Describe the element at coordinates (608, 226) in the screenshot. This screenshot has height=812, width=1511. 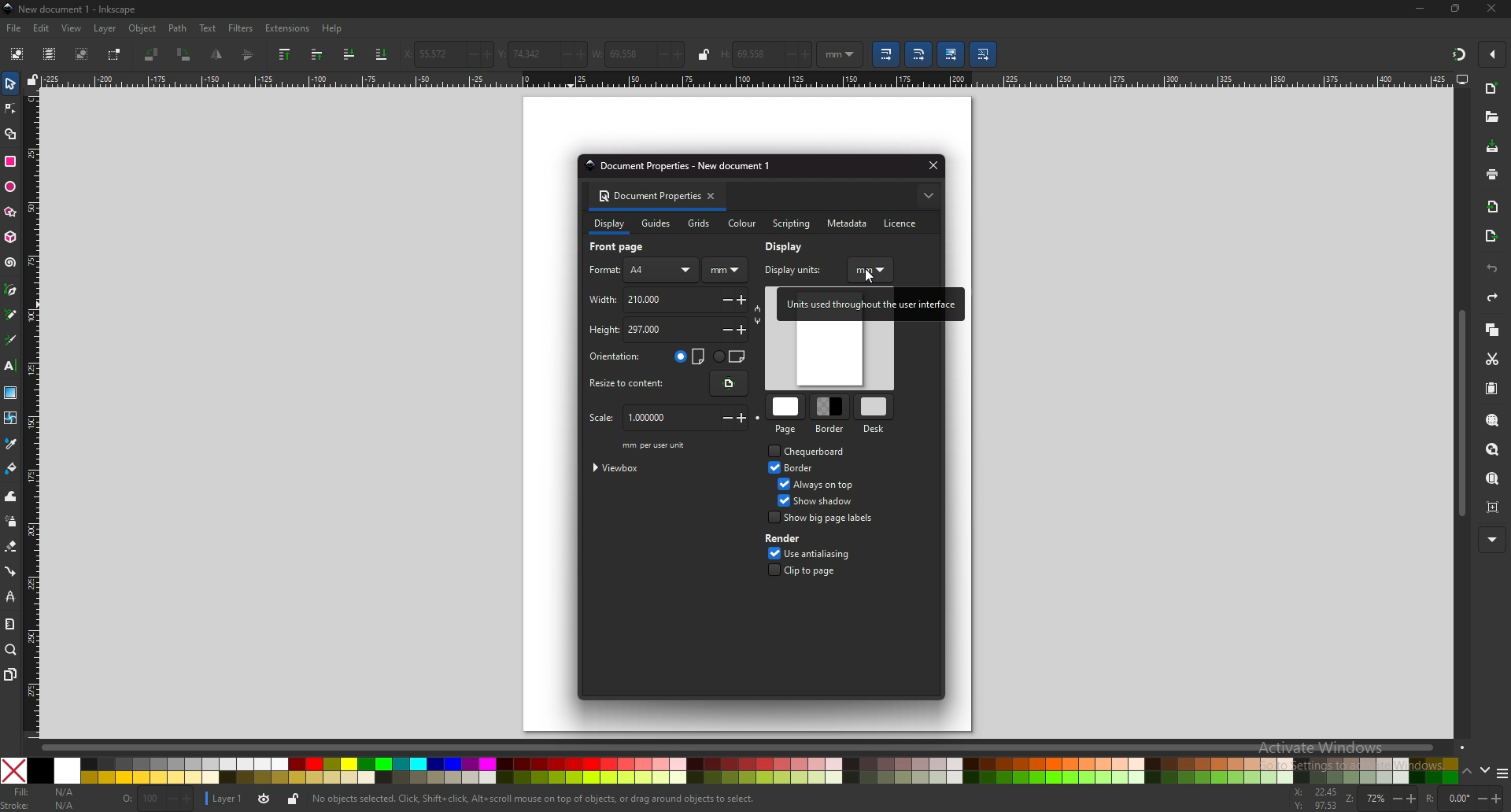
I see `display` at that location.